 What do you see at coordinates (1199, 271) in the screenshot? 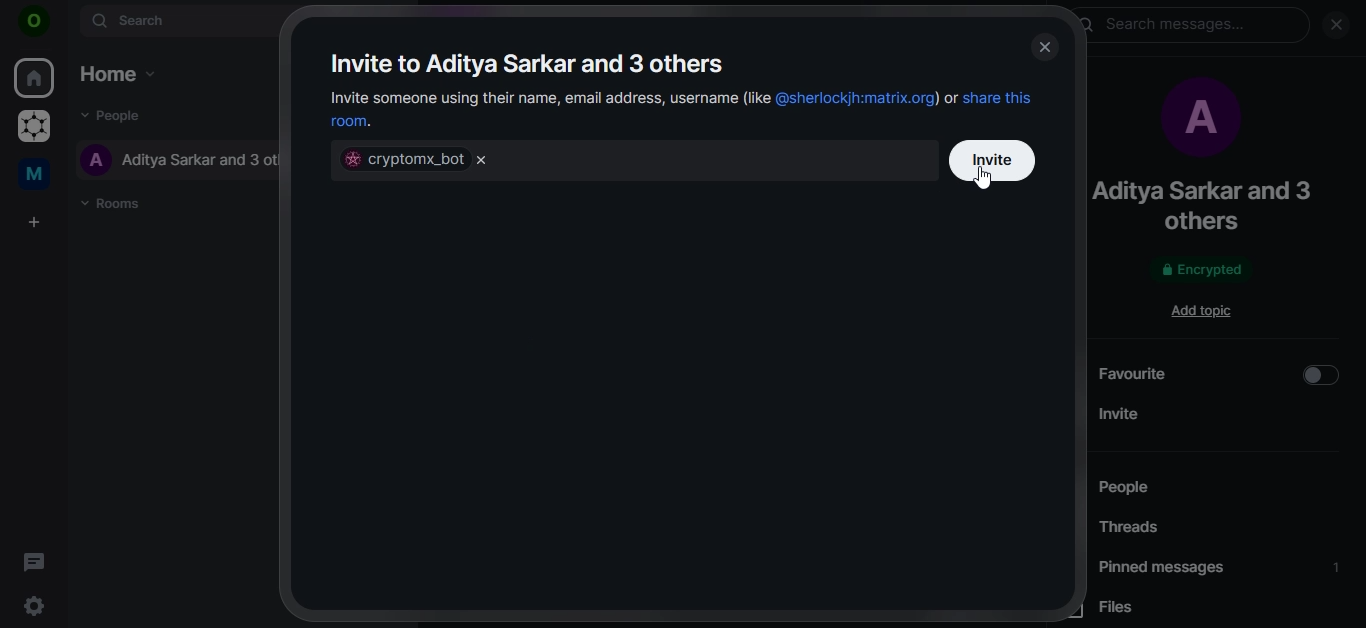
I see `encrypted` at bounding box center [1199, 271].